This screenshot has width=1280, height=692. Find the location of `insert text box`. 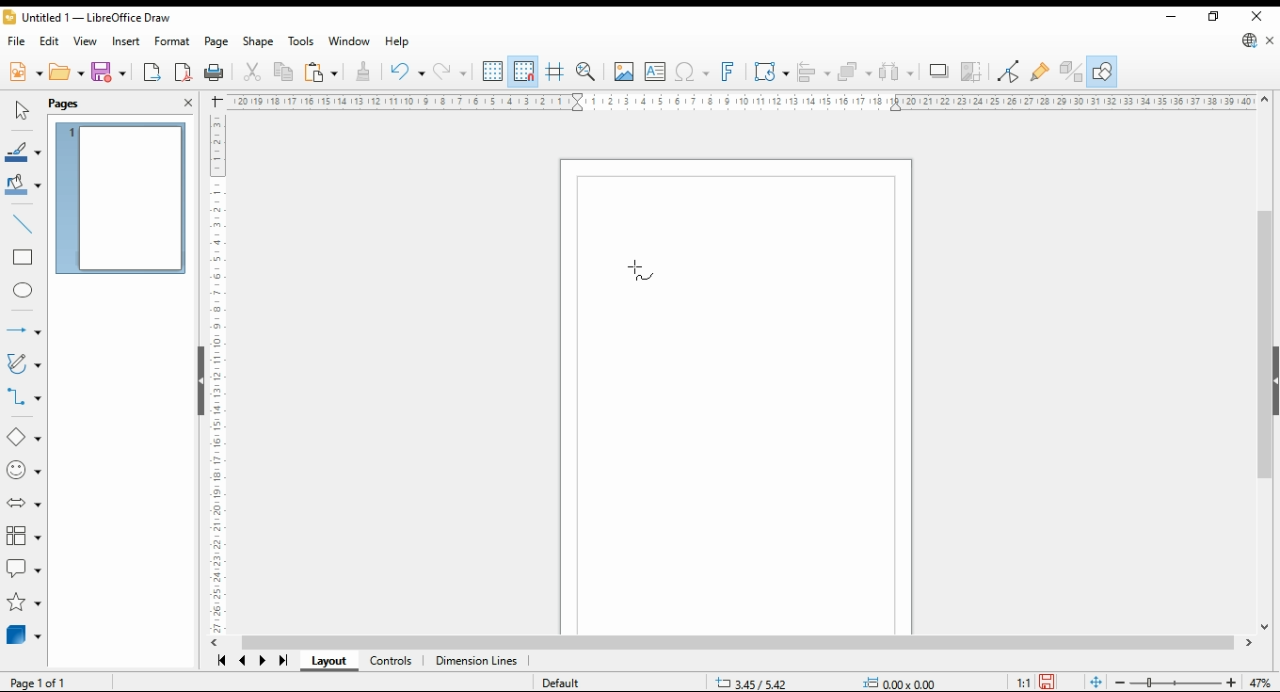

insert text box is located at coordinates (655, 73).